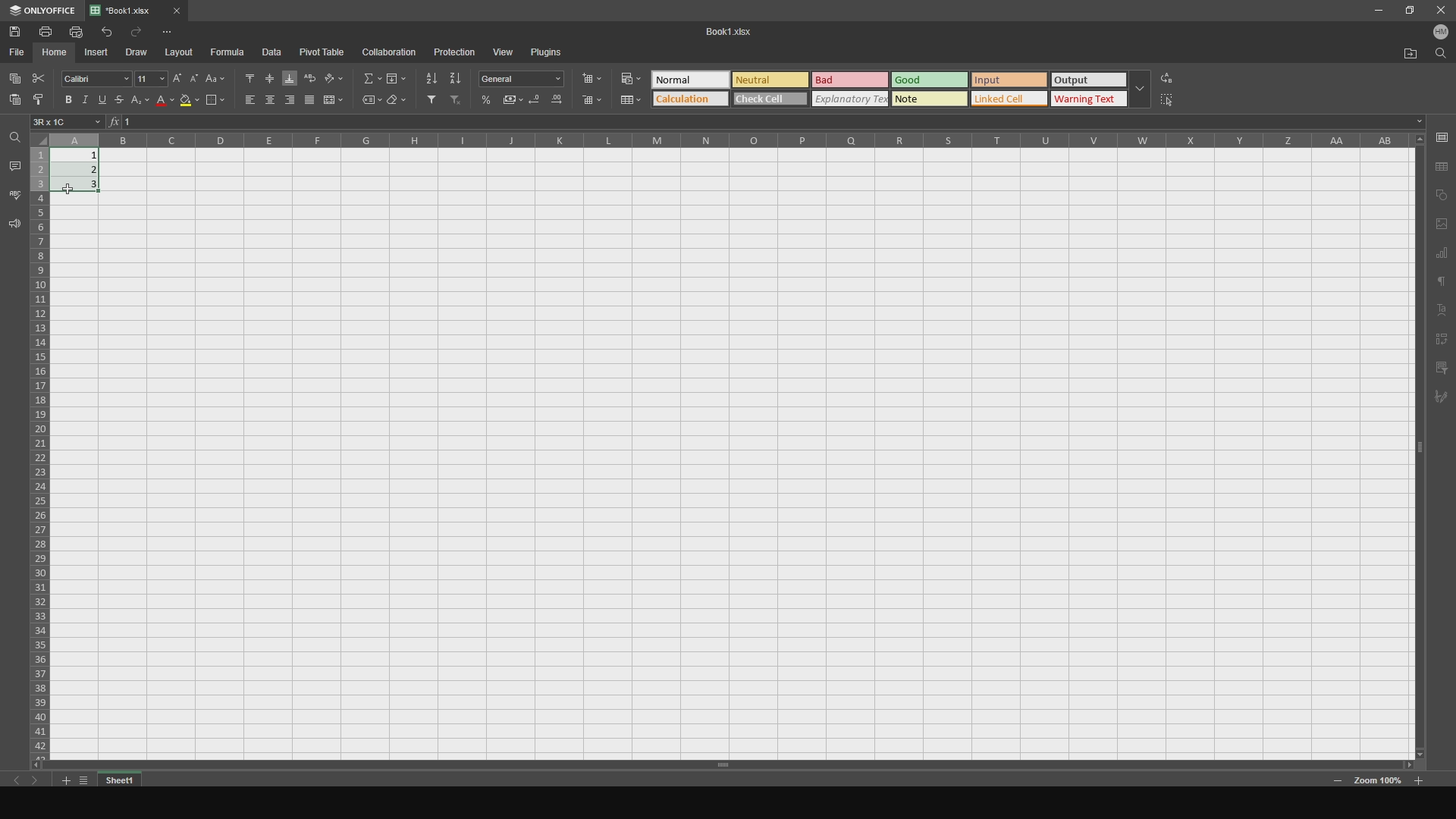 The height and width of the screenshot is (819, 1456). I want to click on vertical slider, so click(1420, 459).